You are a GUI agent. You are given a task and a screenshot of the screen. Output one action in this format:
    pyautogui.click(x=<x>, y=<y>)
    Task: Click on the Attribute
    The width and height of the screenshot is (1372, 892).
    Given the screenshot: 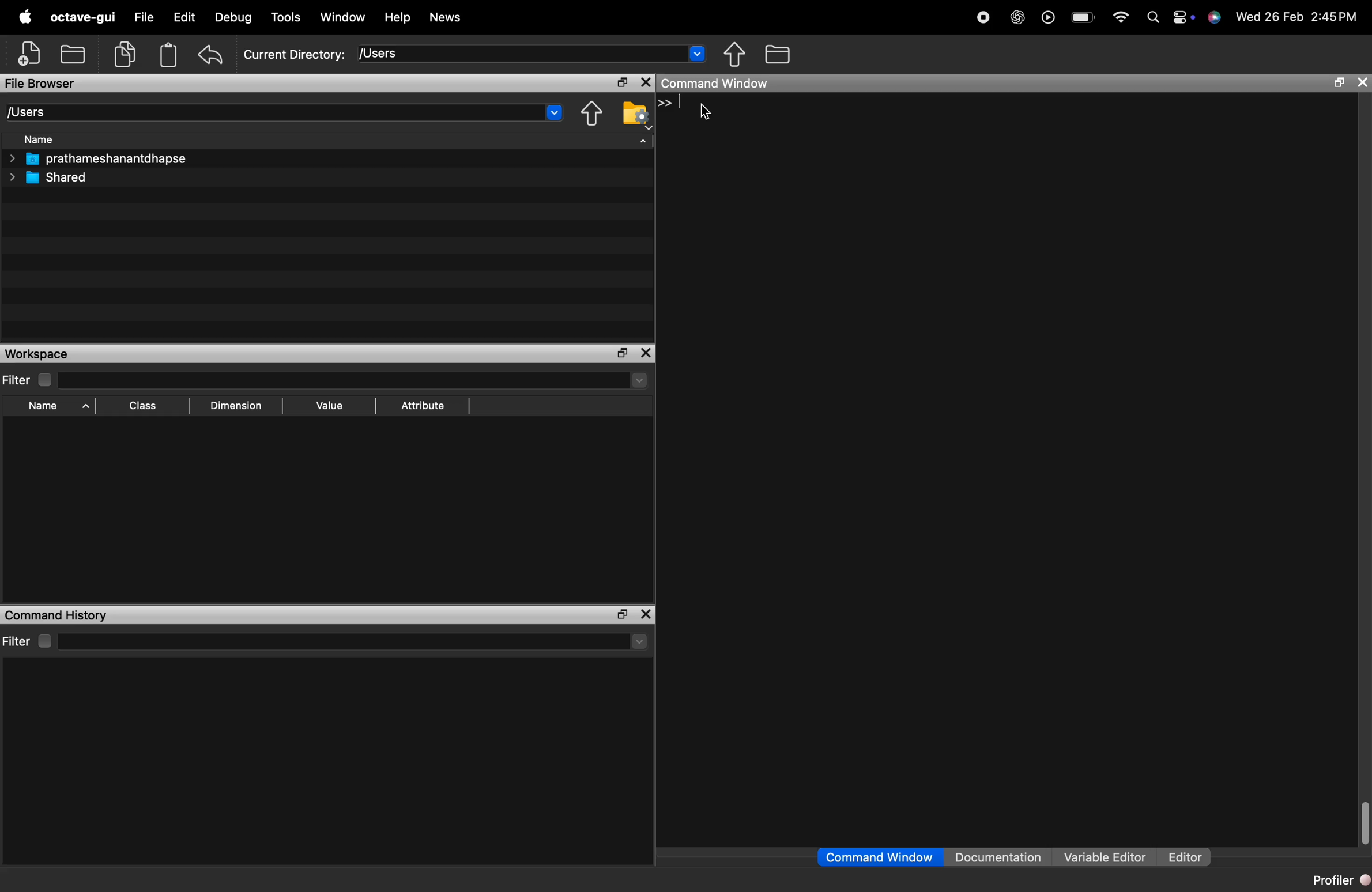 What is the action you would take?
    pyautogui.click(x=427, y=405)
    